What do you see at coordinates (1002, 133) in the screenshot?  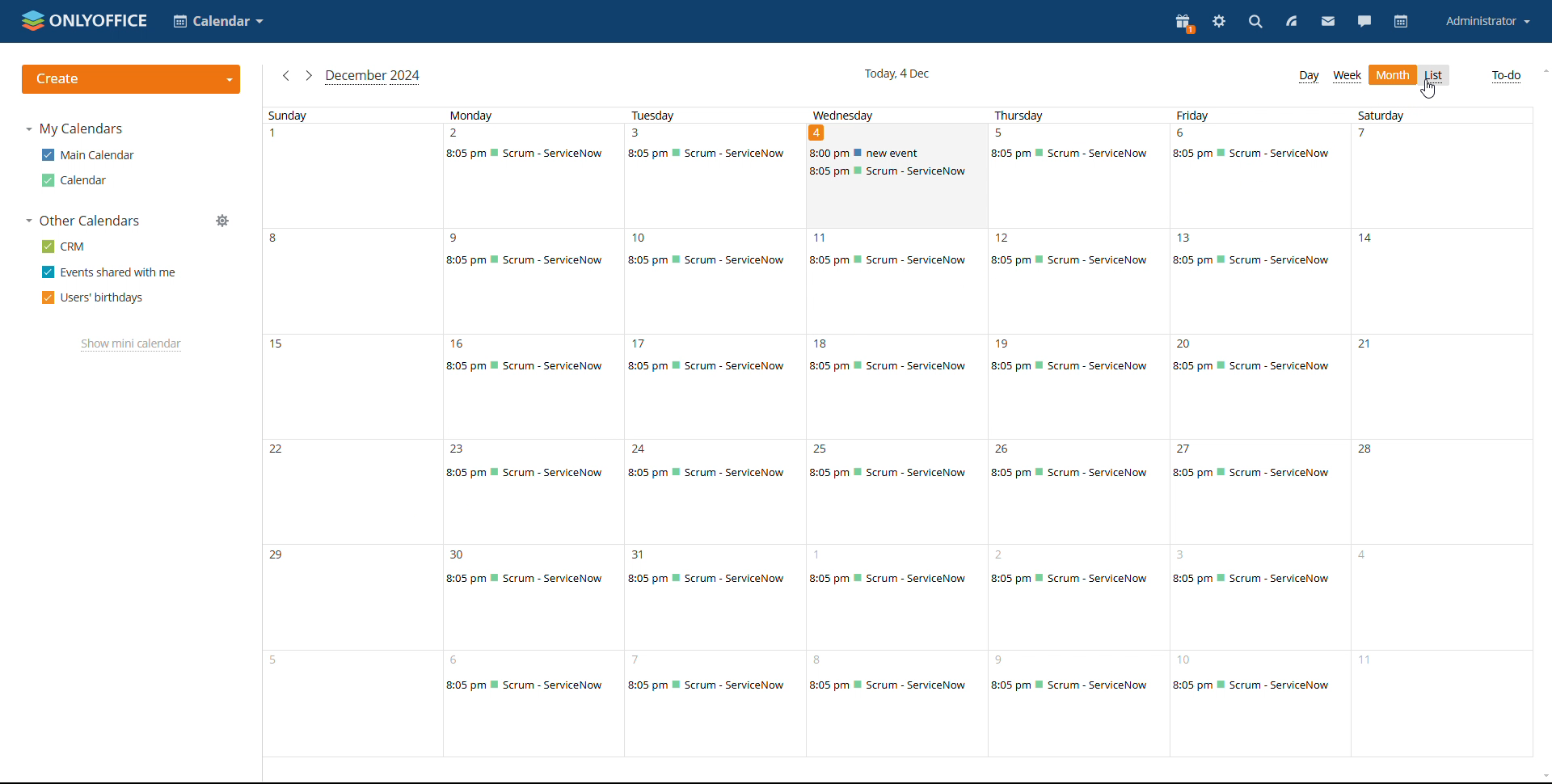 I see `5` at bounding box center [1002, 133].